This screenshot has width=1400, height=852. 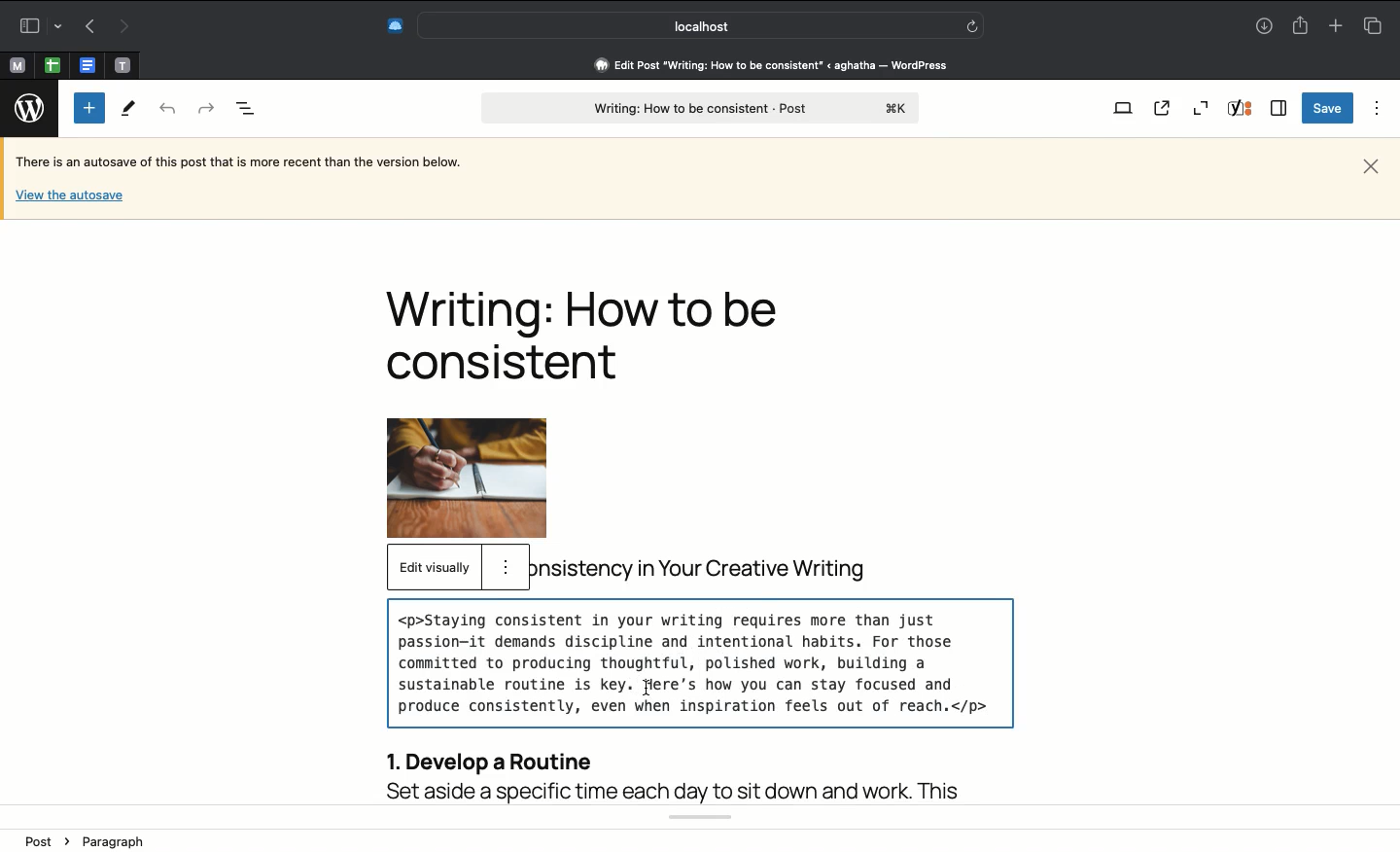 What do you see at coordinates (758, 65) in the screenshot?
I see `Address` at bounding box center [758, 65].